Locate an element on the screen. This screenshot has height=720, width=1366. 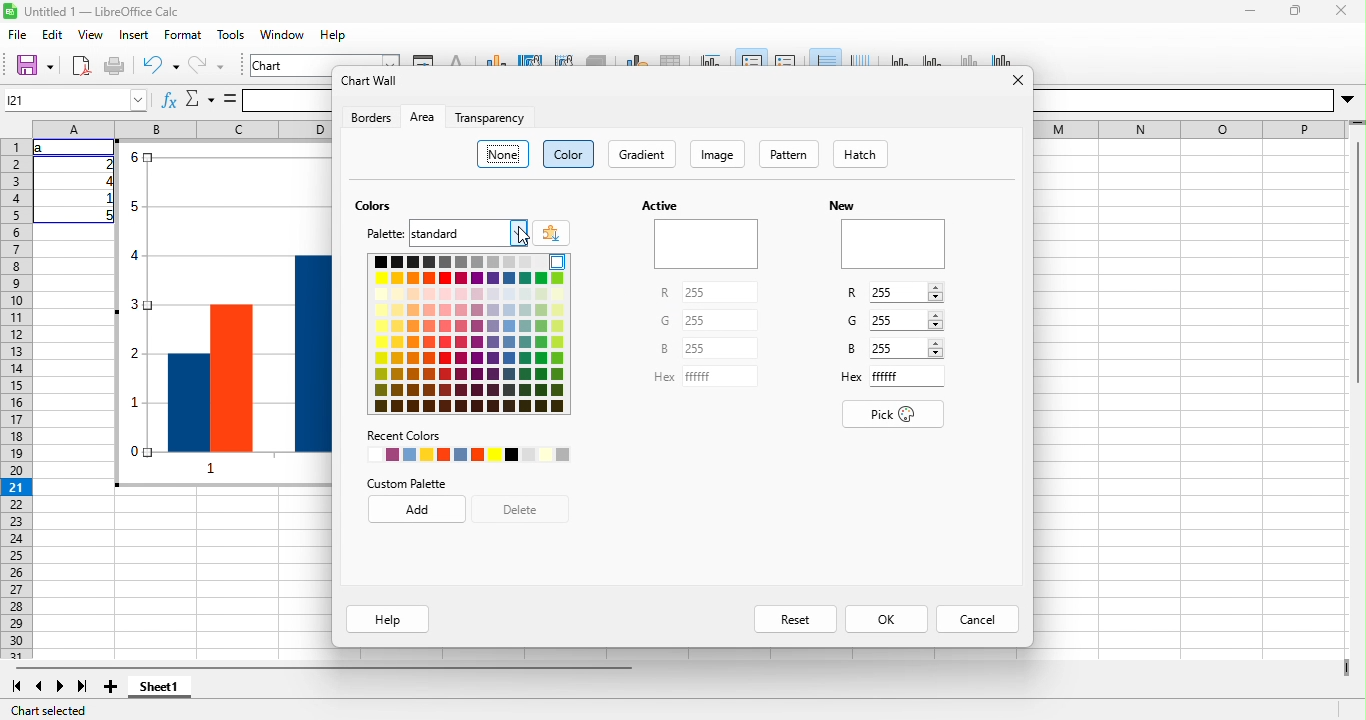
R is located at coordinates (852, 293).